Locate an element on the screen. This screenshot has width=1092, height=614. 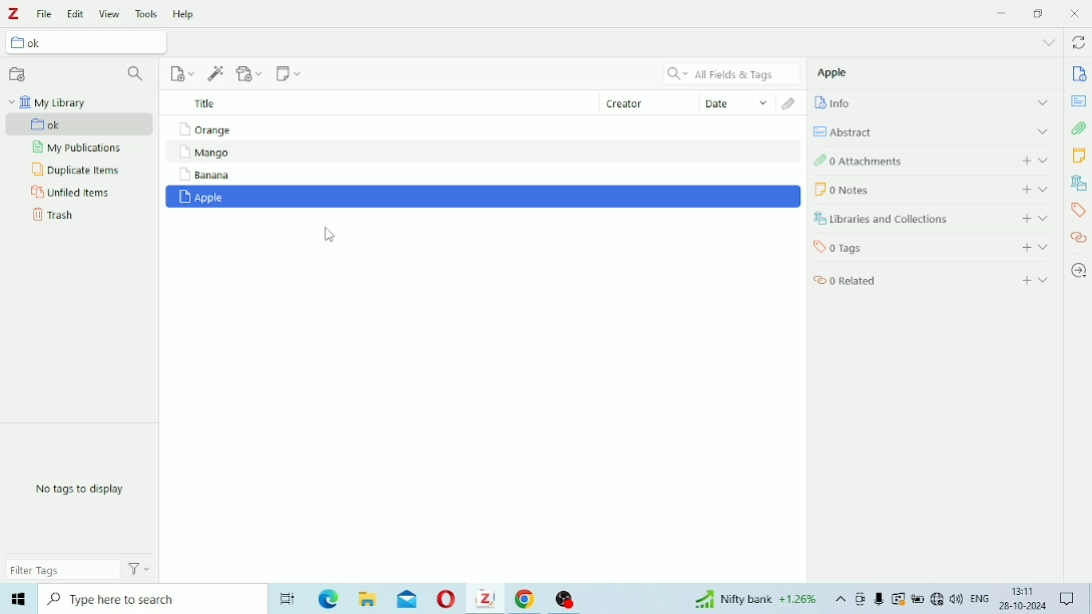
Tags is located at coordinates (1078, 212).